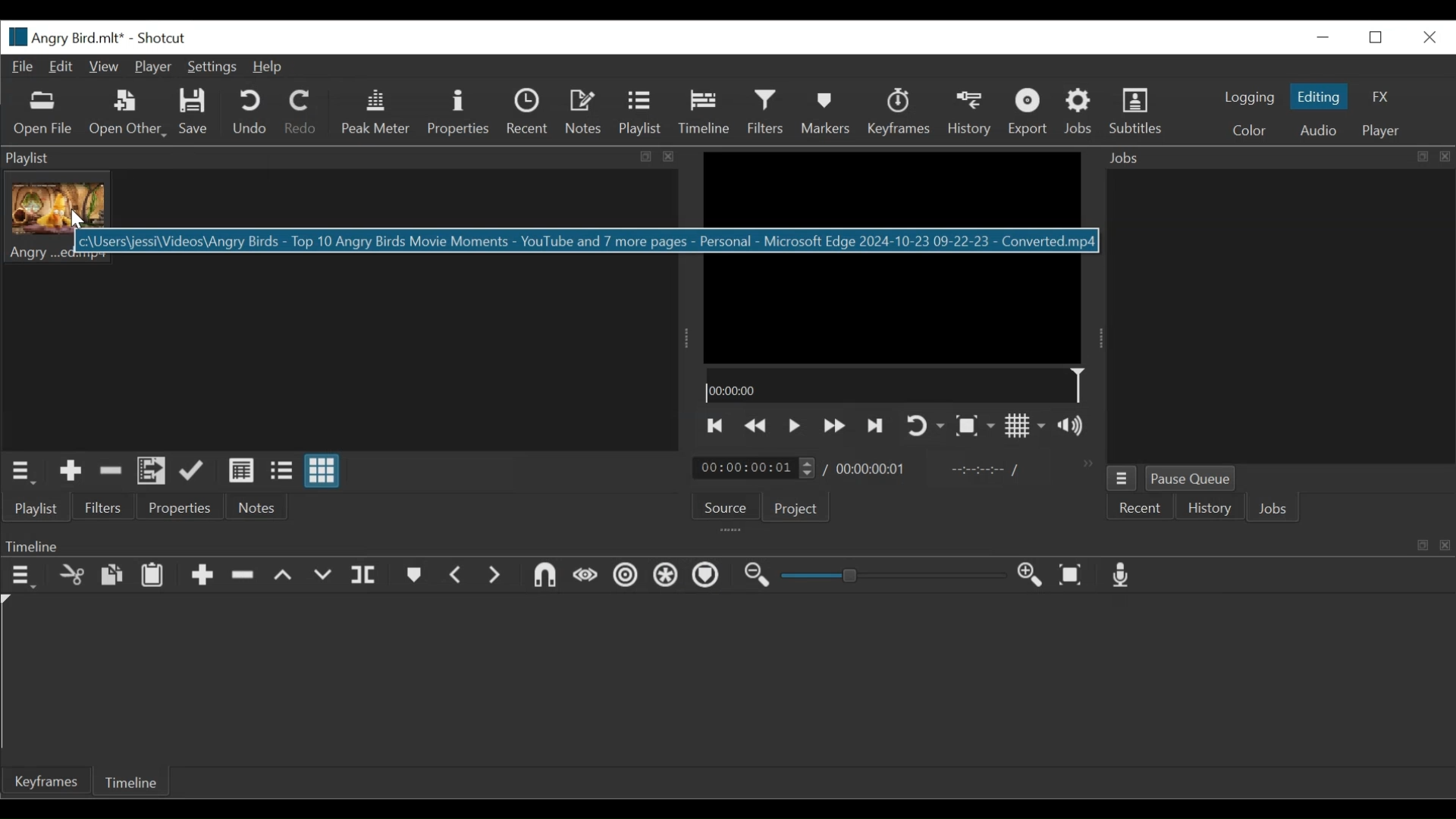 The height and width of the screenshot is (819, 1456). What do you see at coordinates (586, 114) in the screenshot?
I see `Notes` at bounding box center [586, 114].